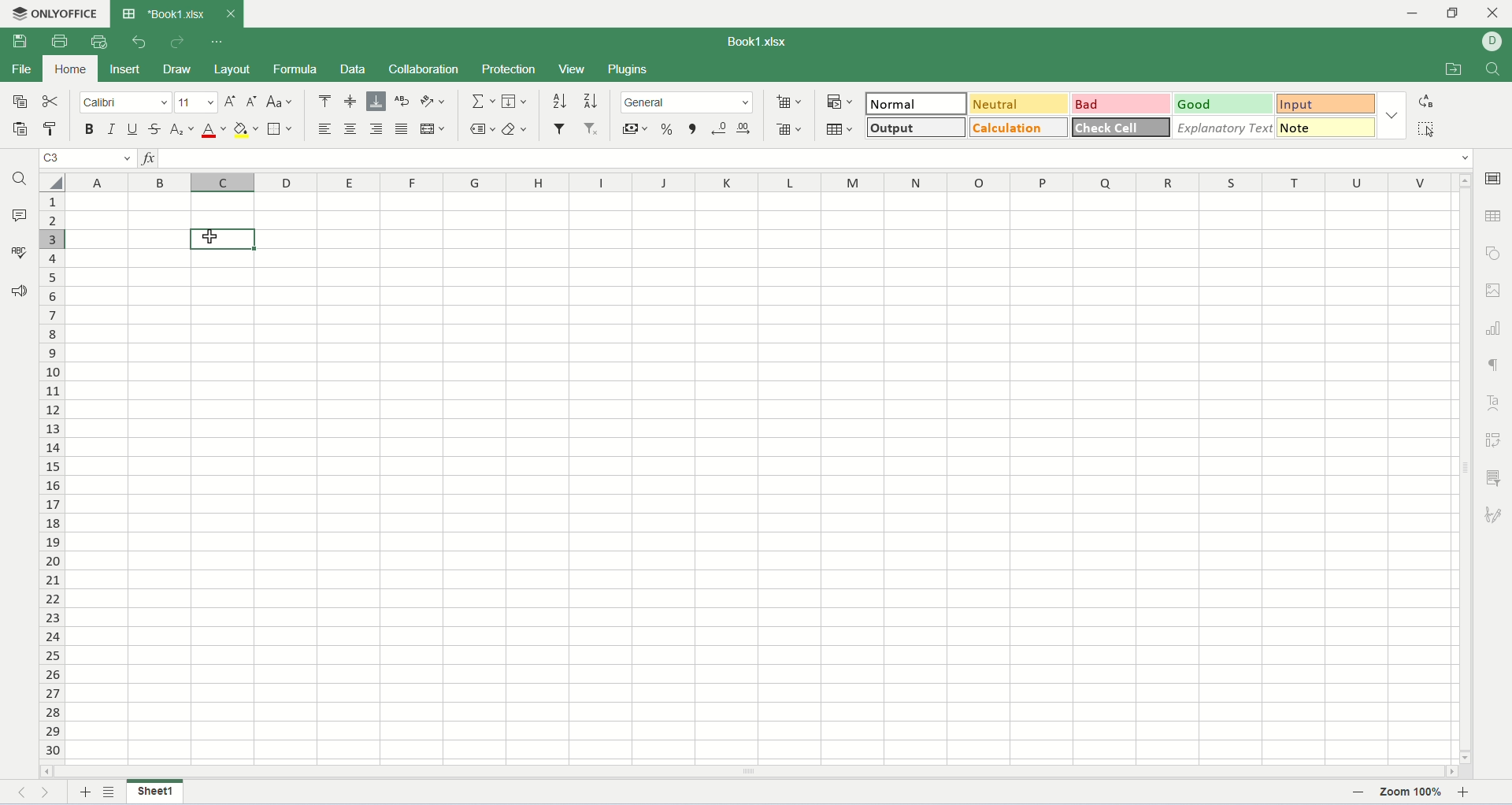 This screenshot has height=805, width=1512. Describe the element at coordinates (510, 68) in the screenshot. I see `protection` at that location.